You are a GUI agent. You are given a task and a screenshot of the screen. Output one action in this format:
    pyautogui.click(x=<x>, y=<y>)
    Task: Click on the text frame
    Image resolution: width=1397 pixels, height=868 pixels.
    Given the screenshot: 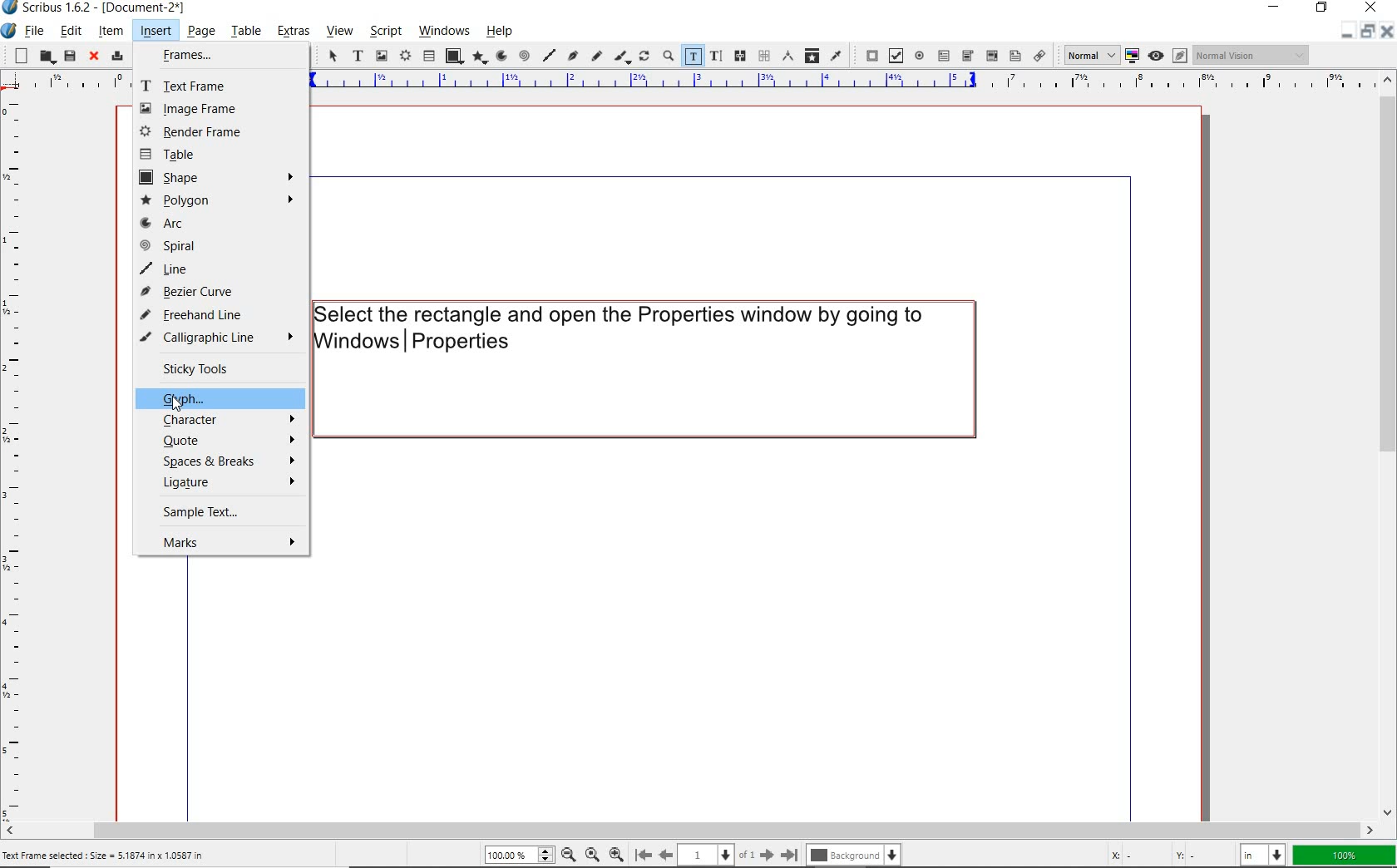 What is the action you would take?
    pyautogui.click(x=195, y=84)
    